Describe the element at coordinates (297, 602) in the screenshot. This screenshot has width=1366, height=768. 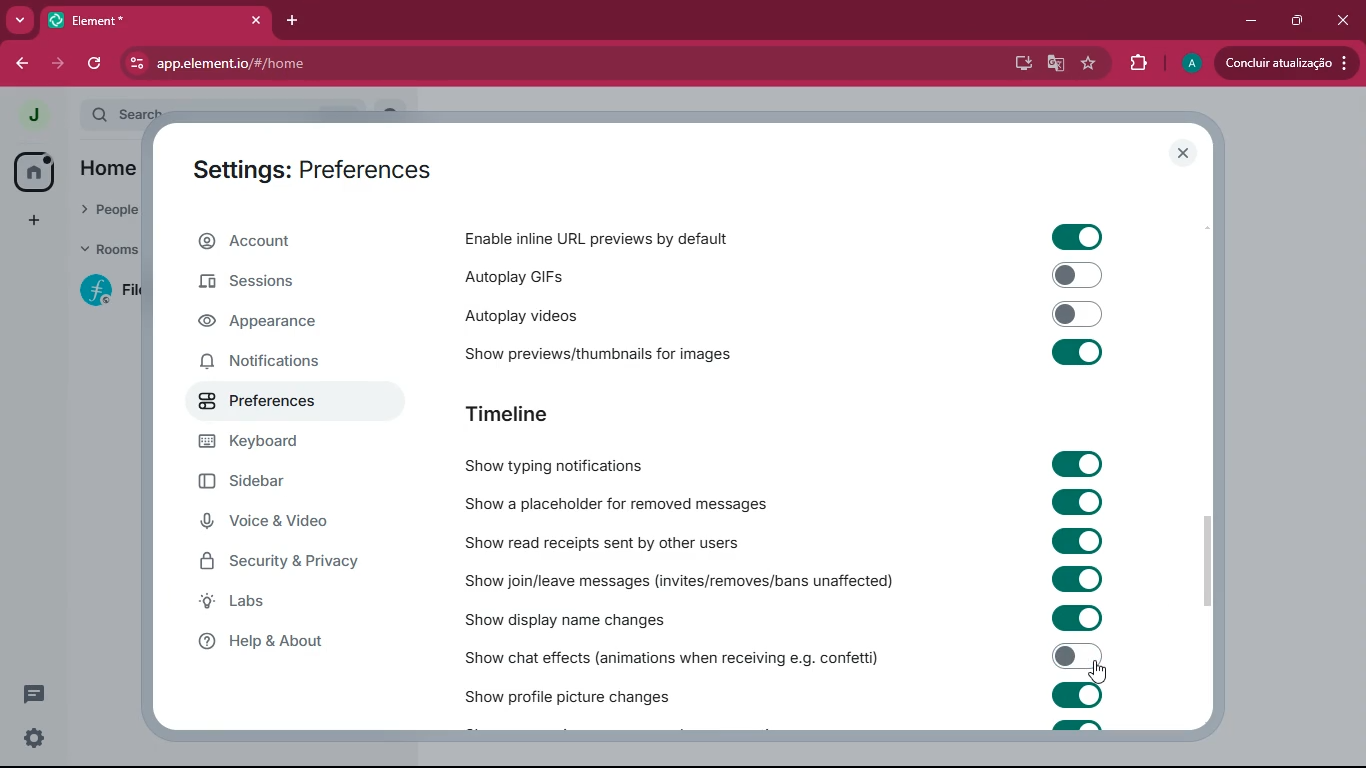
I see `labs` at that location.